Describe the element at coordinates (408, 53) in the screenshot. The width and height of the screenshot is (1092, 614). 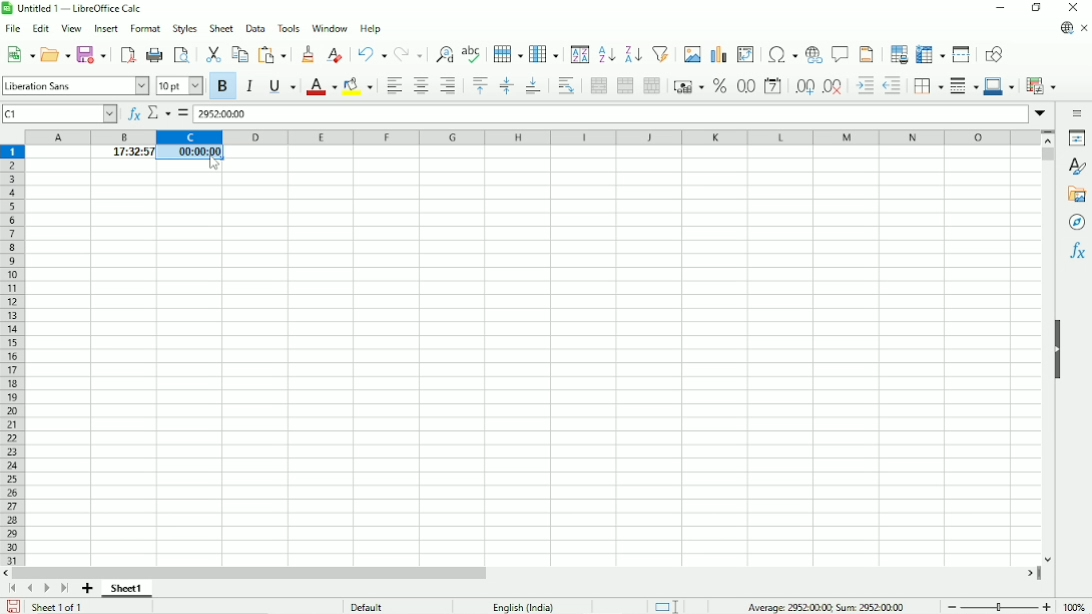
I see `Redo` at that location.